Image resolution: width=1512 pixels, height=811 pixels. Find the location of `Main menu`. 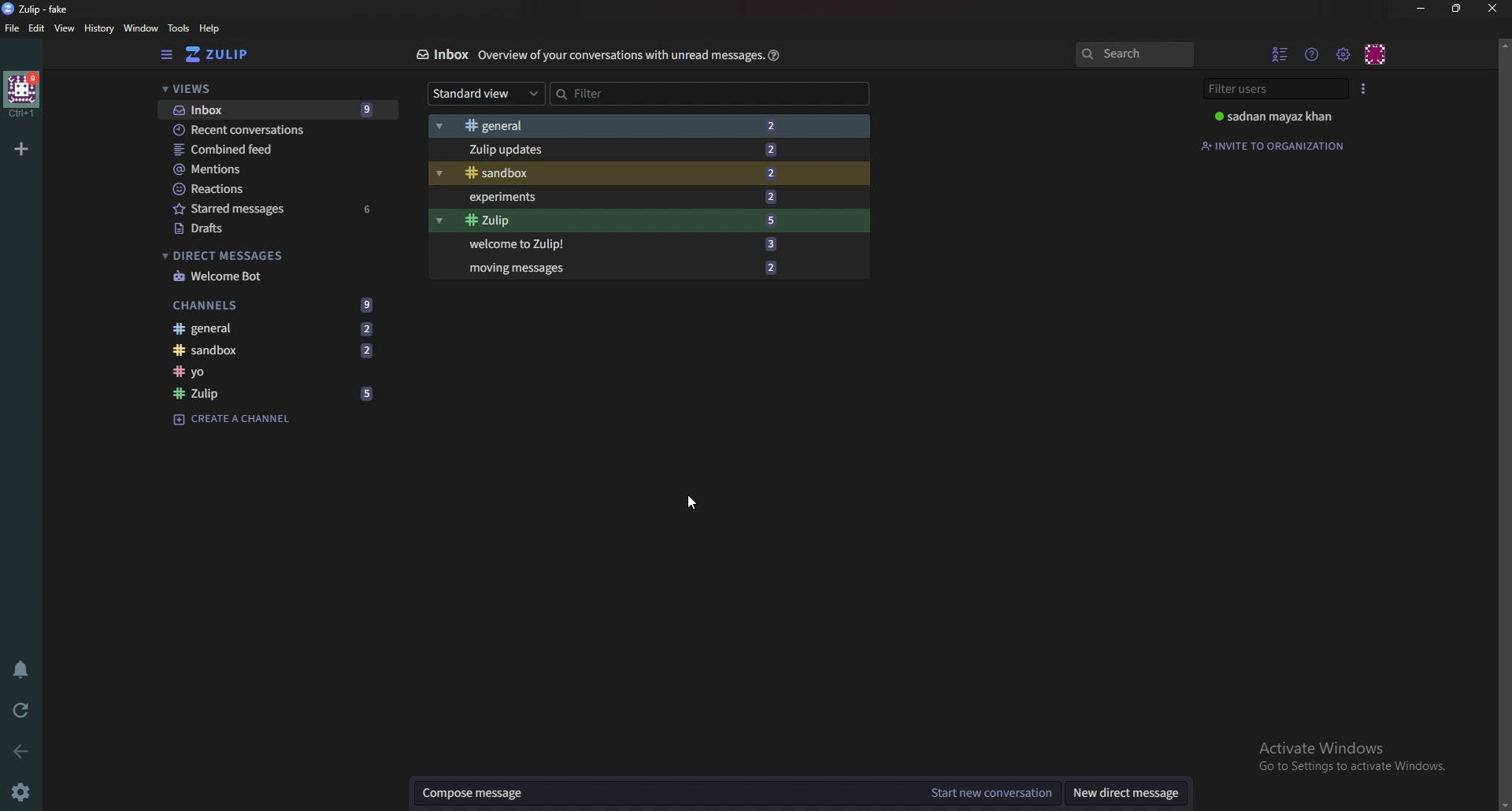

Main menu is located at coordinates (1343, 55).